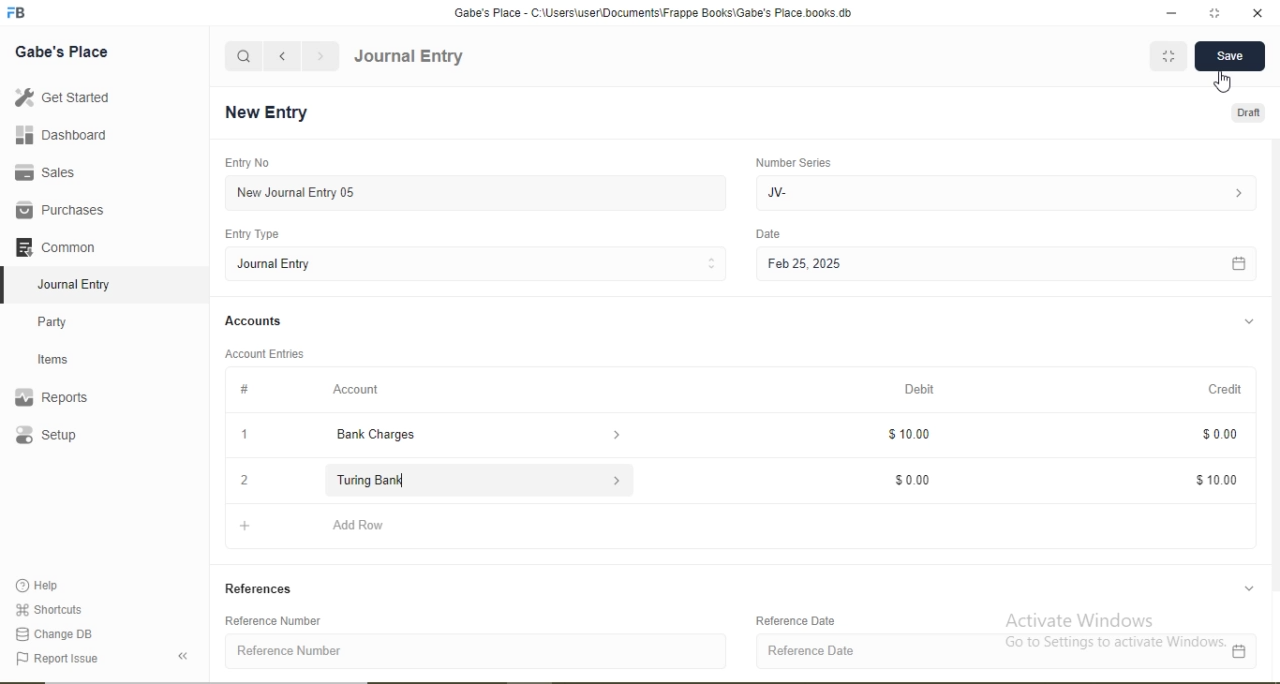 Image resolution: width=1280 pixels, height=684 pixels. Describe the element at coordinates (254, 321) in the screenshot. I see `Accounts.` at that location.